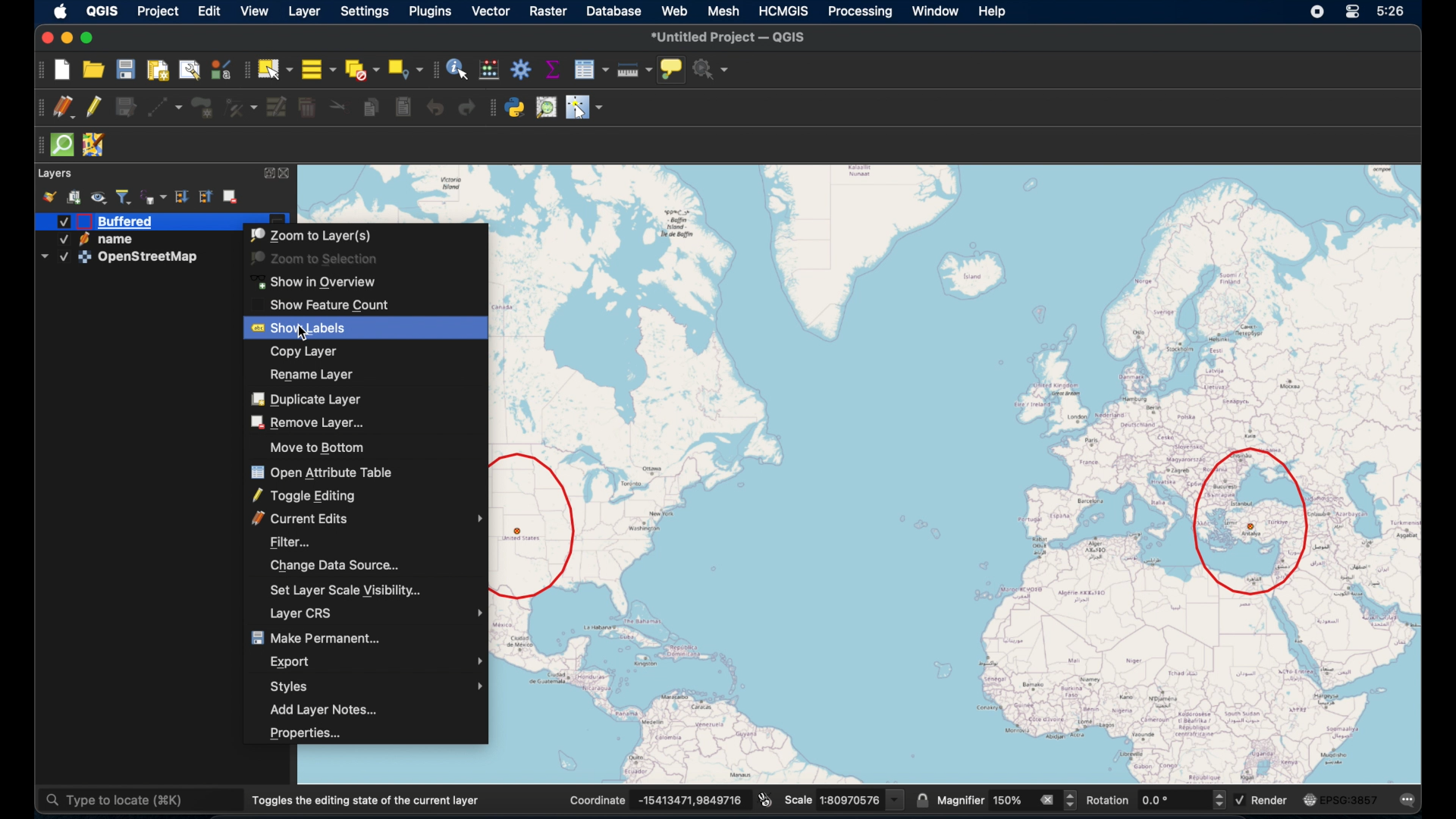 The height and width of the screenshot is (819, 1456). I want to click on scale vlaue, so click(850, 799).